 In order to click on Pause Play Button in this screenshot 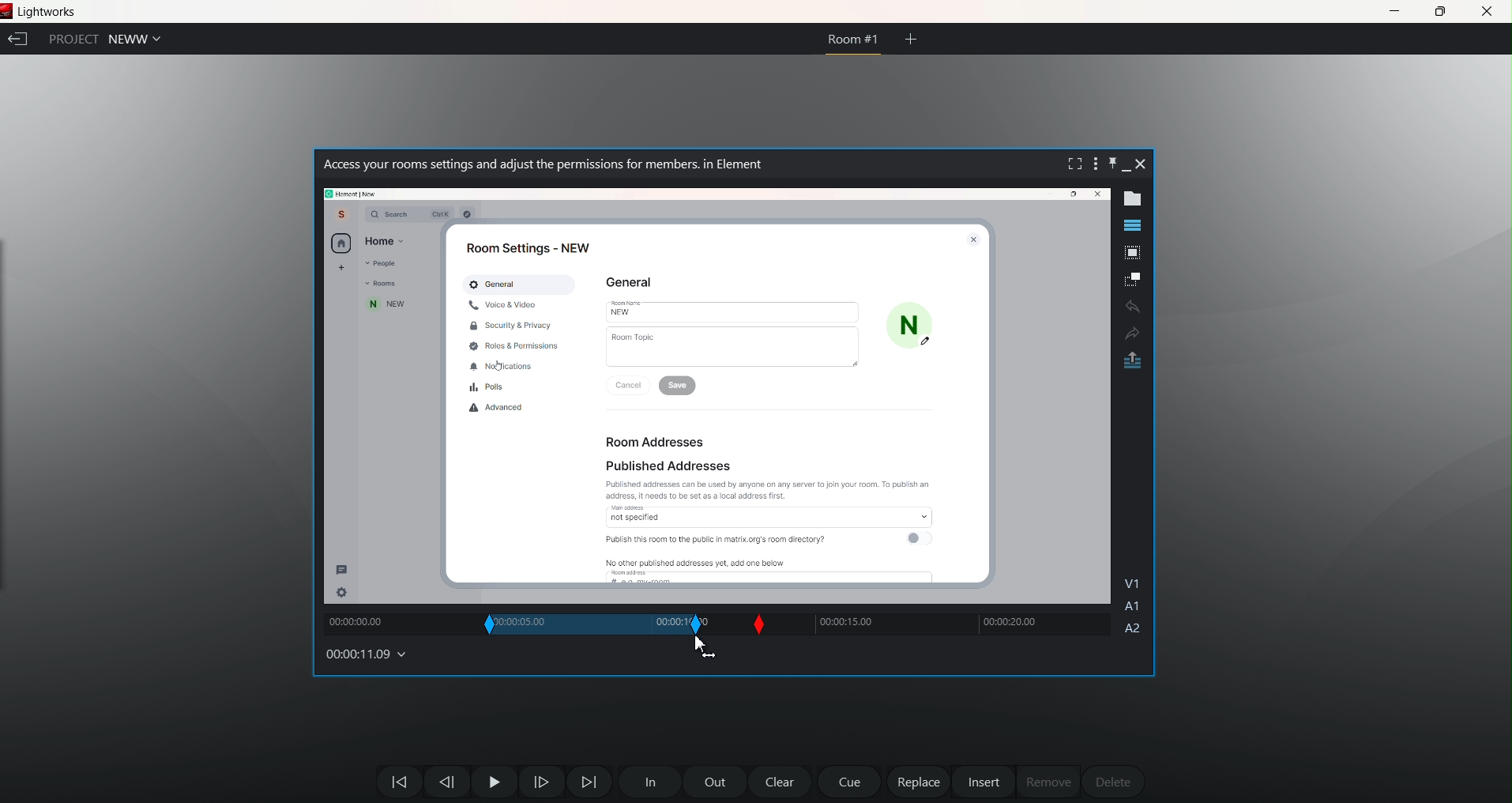, I will do `click(491, 782)`.